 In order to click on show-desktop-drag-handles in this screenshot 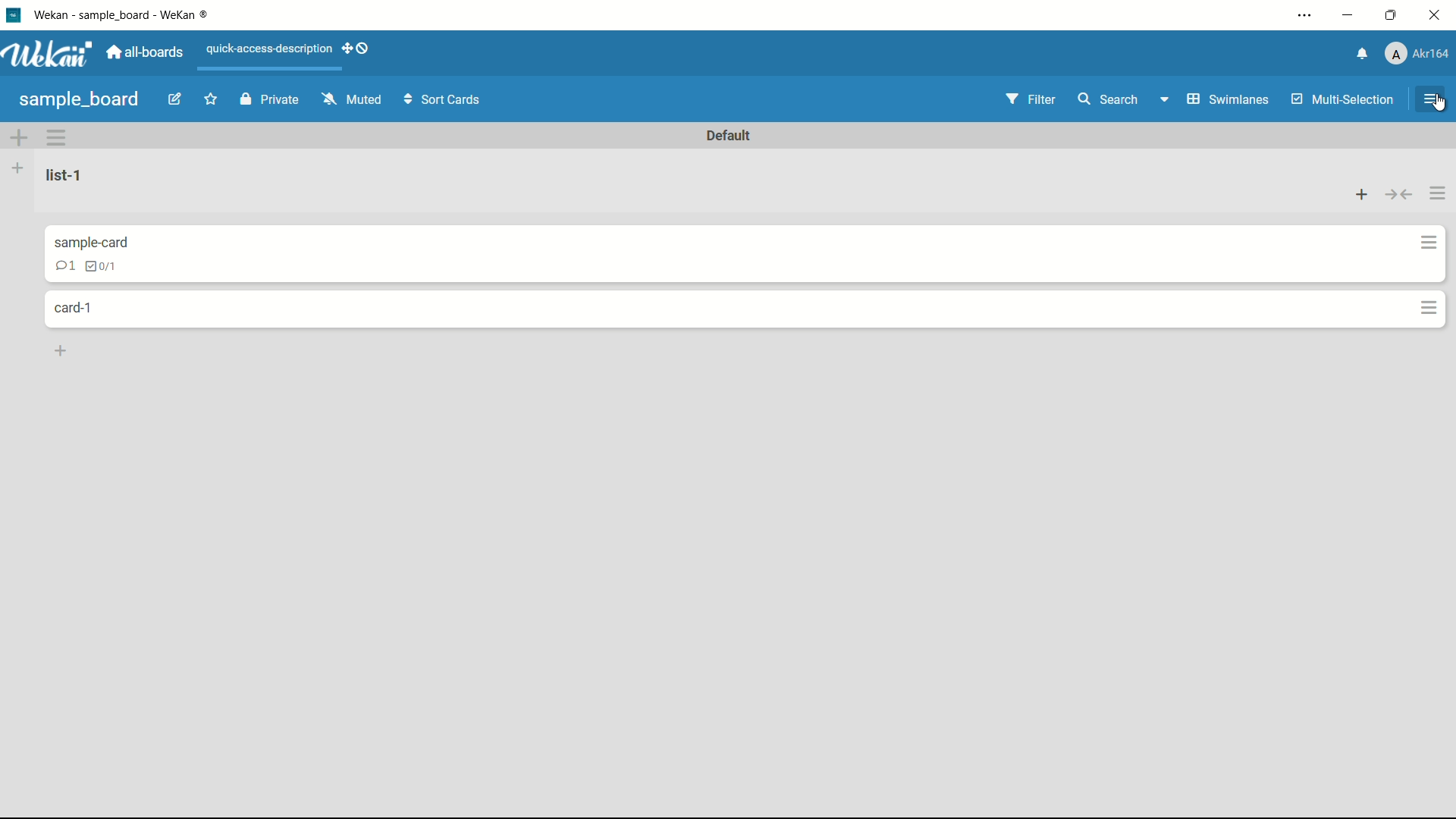, I will do `click(361, 47)`.